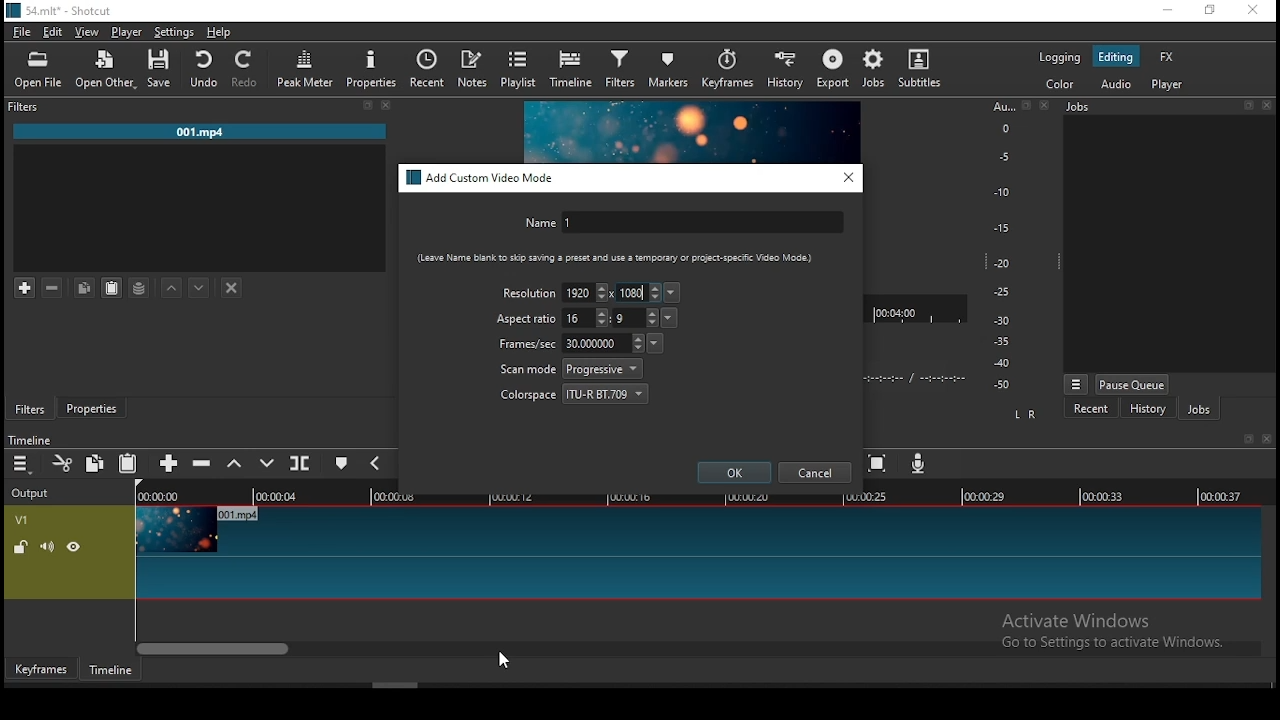  What do you see at coordinates (1000, 192) in the screenshot?
I see `-10` at bounding box center [1000, 192].